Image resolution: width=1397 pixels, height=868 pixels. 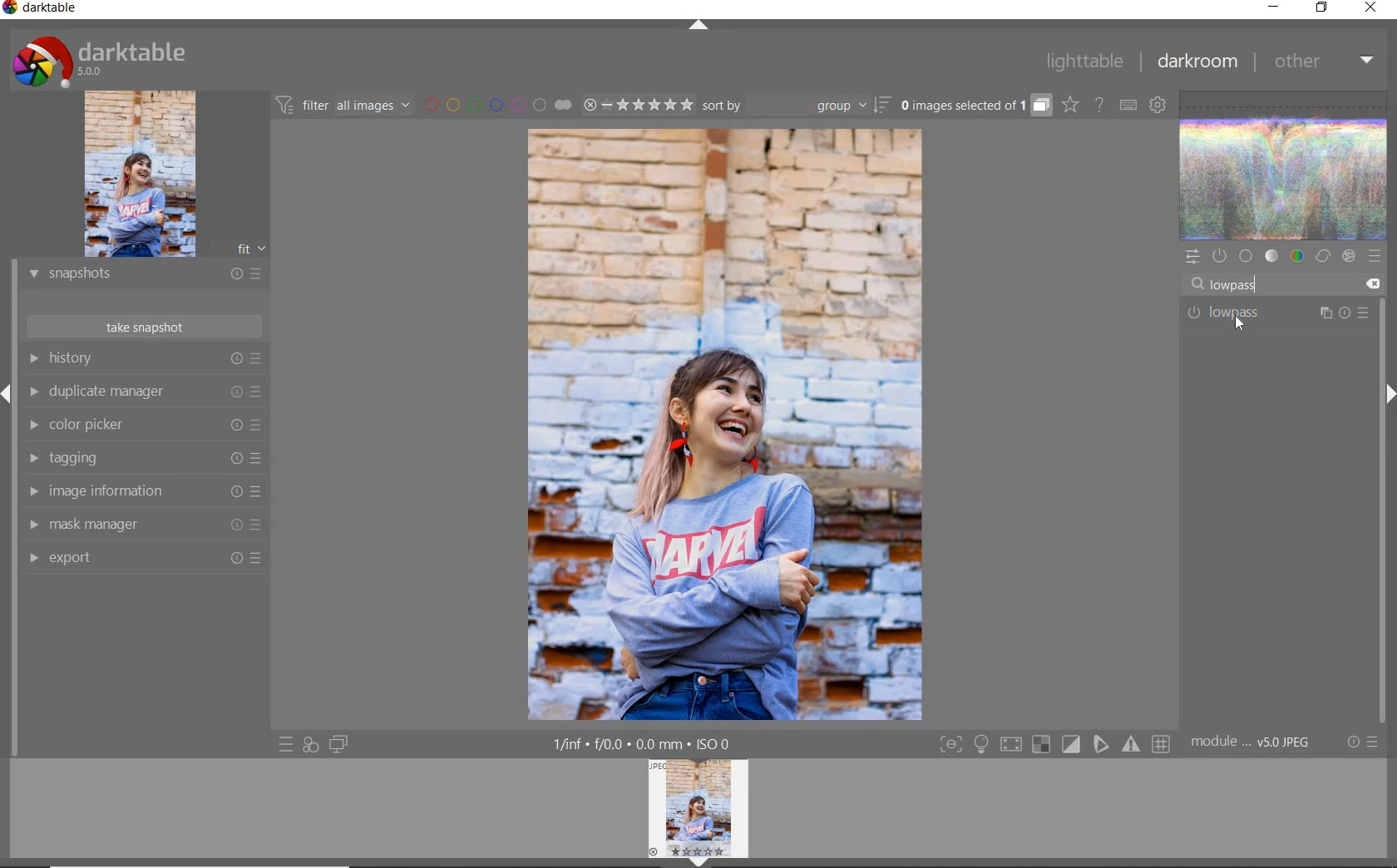 What do you see at coordinates (142, 494) in the screenshot?
I see `image information` at bounding box center [142, 494].